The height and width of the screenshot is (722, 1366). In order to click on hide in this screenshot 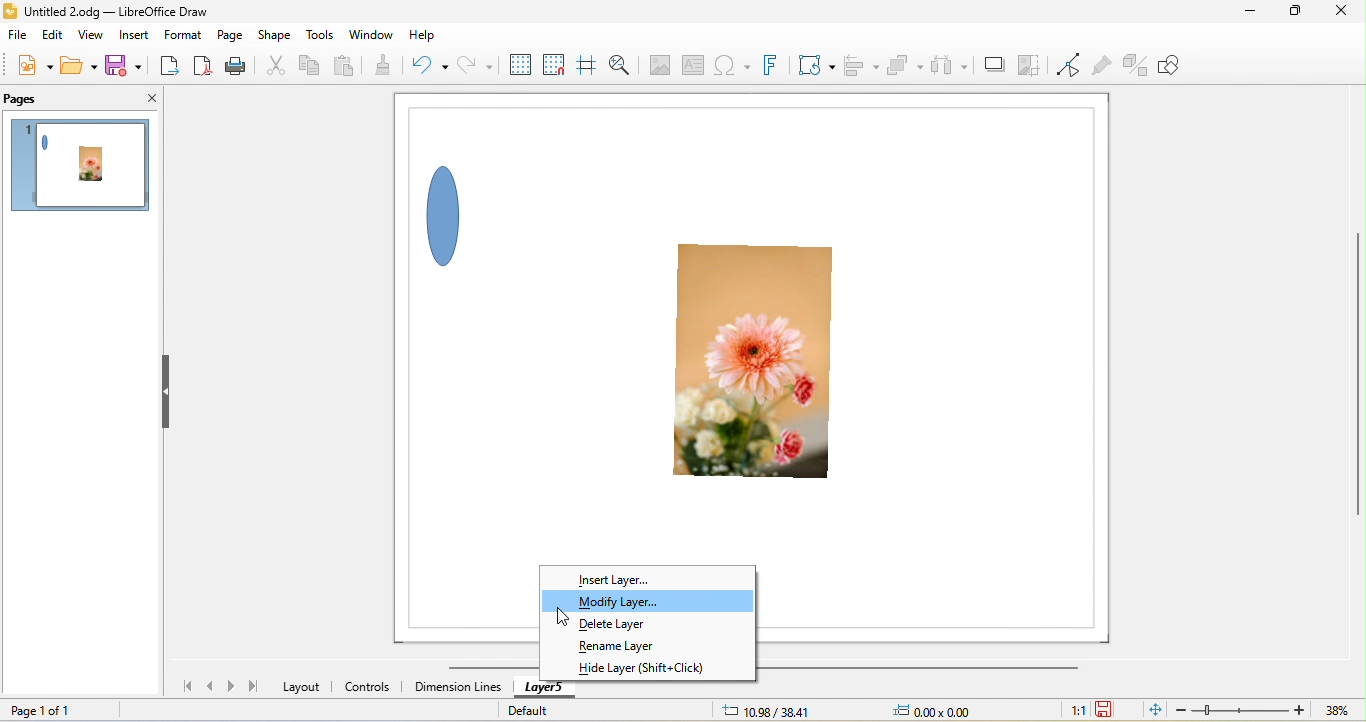, I will do `click(168, 393)`.